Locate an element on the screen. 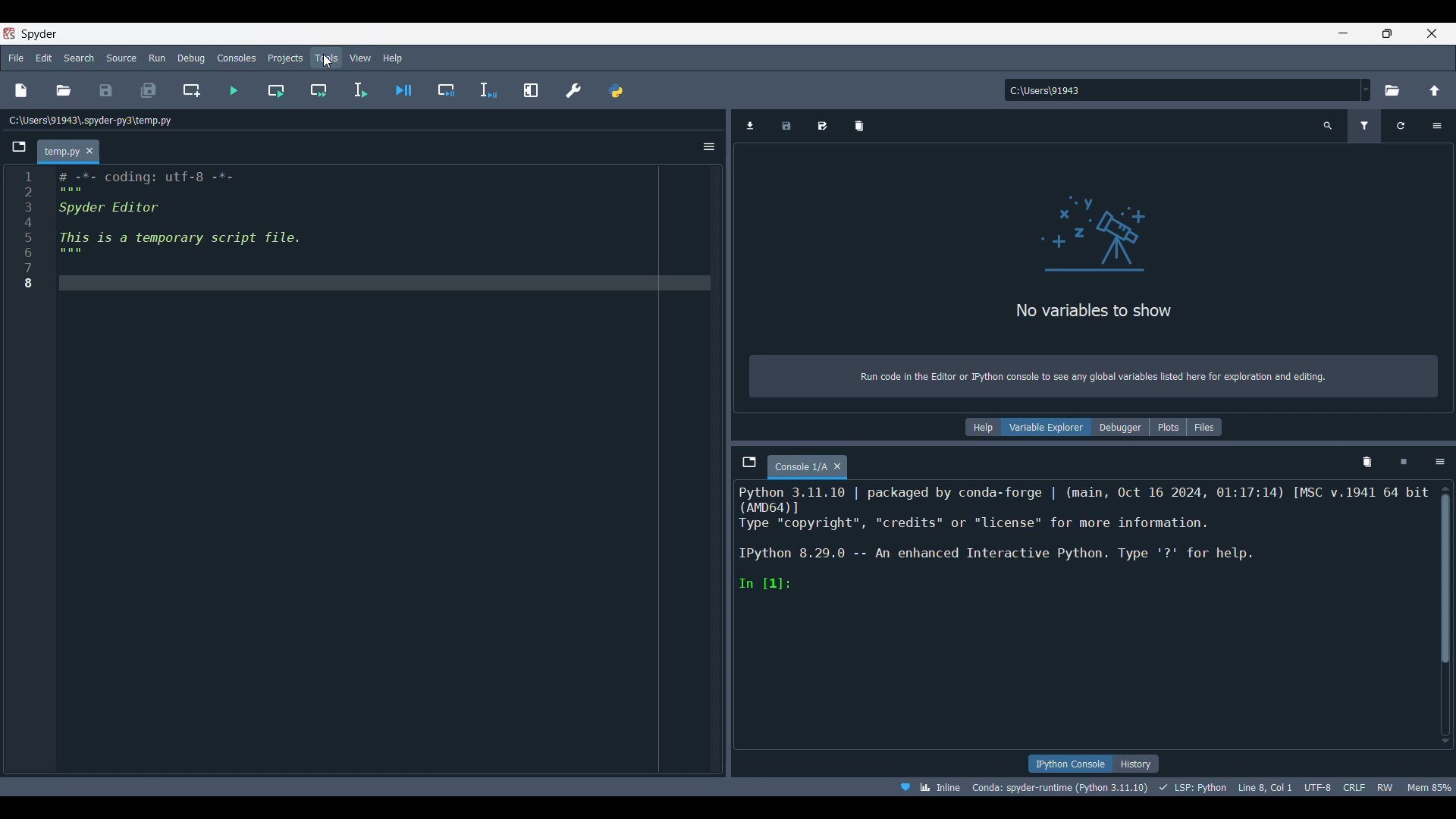  Run current cell is located at coordinates (275, 90).